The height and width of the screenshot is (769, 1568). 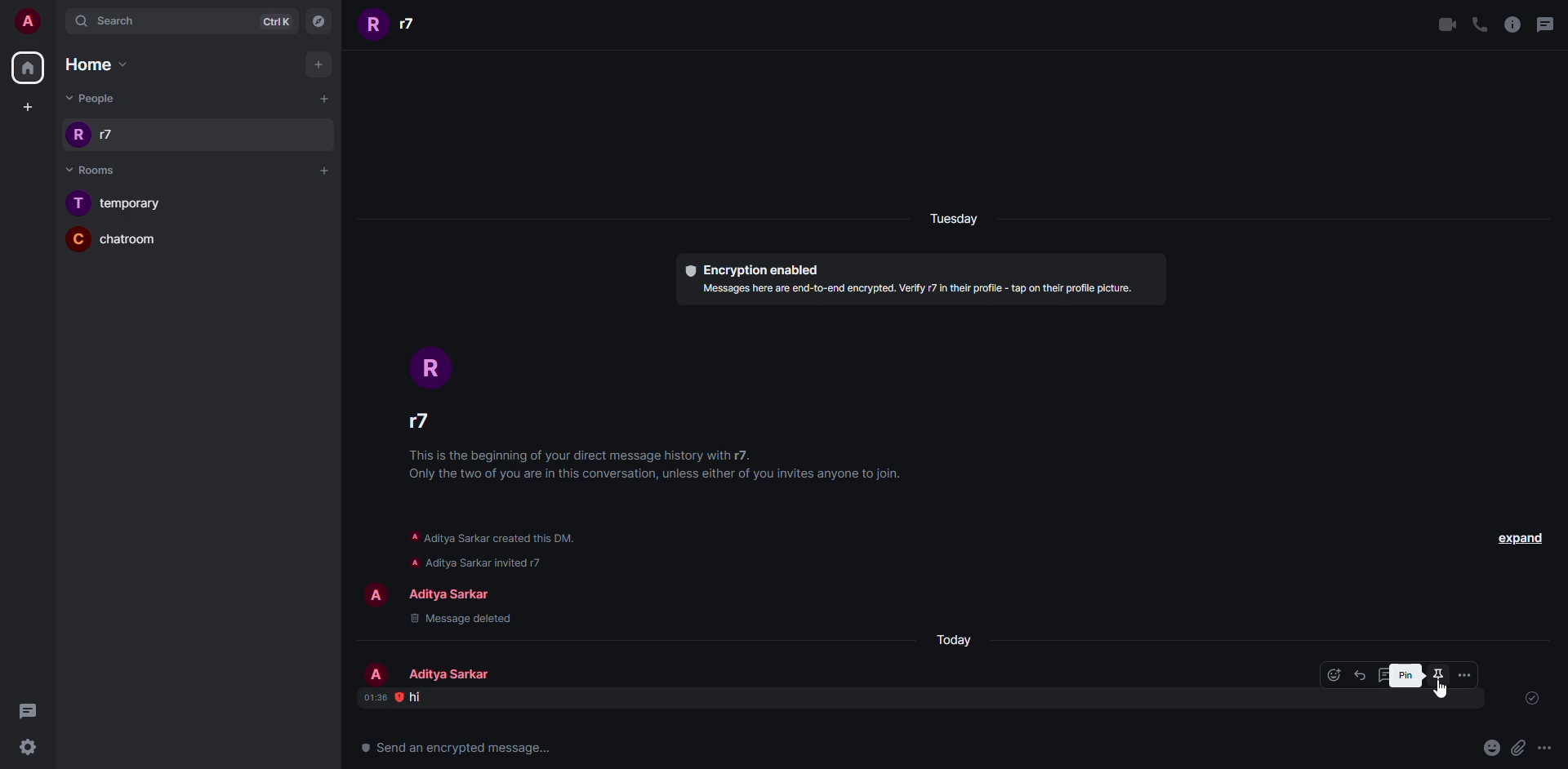 What do you see at coordinates (91, 96) in the screenshot?
I see `people` at bounding box center [91, 96].